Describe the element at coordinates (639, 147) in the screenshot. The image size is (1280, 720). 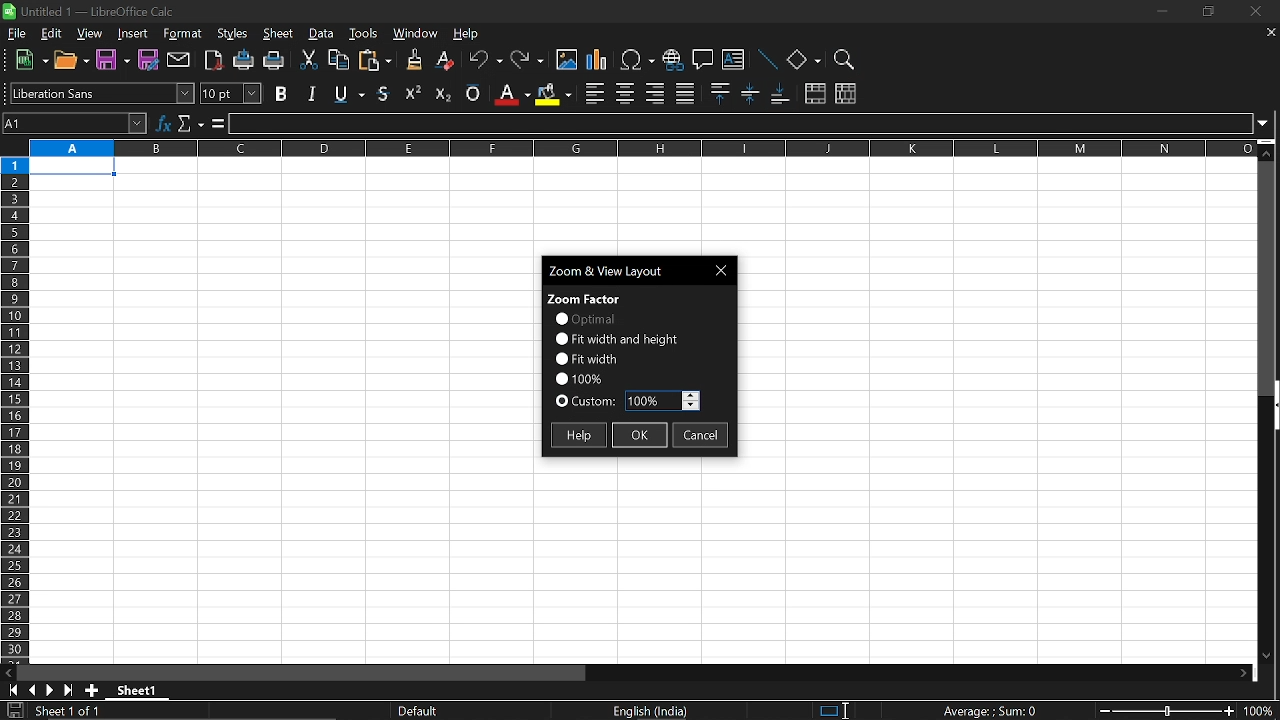
I see `columns` at that location.